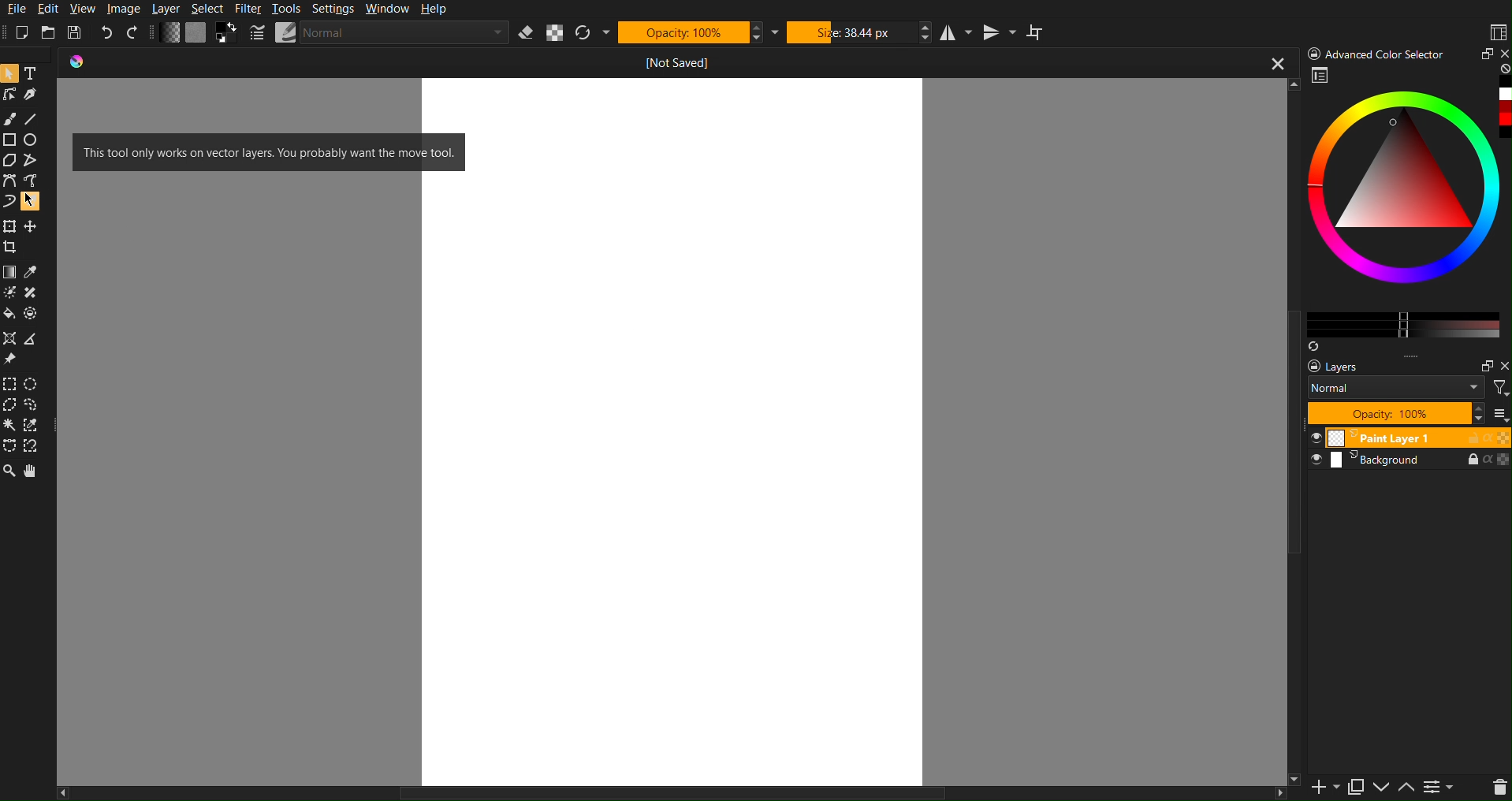 The image size is (1512, 801). Describe the element at coordinates (49, 31) in the screenshot. I see `Open` at that location.